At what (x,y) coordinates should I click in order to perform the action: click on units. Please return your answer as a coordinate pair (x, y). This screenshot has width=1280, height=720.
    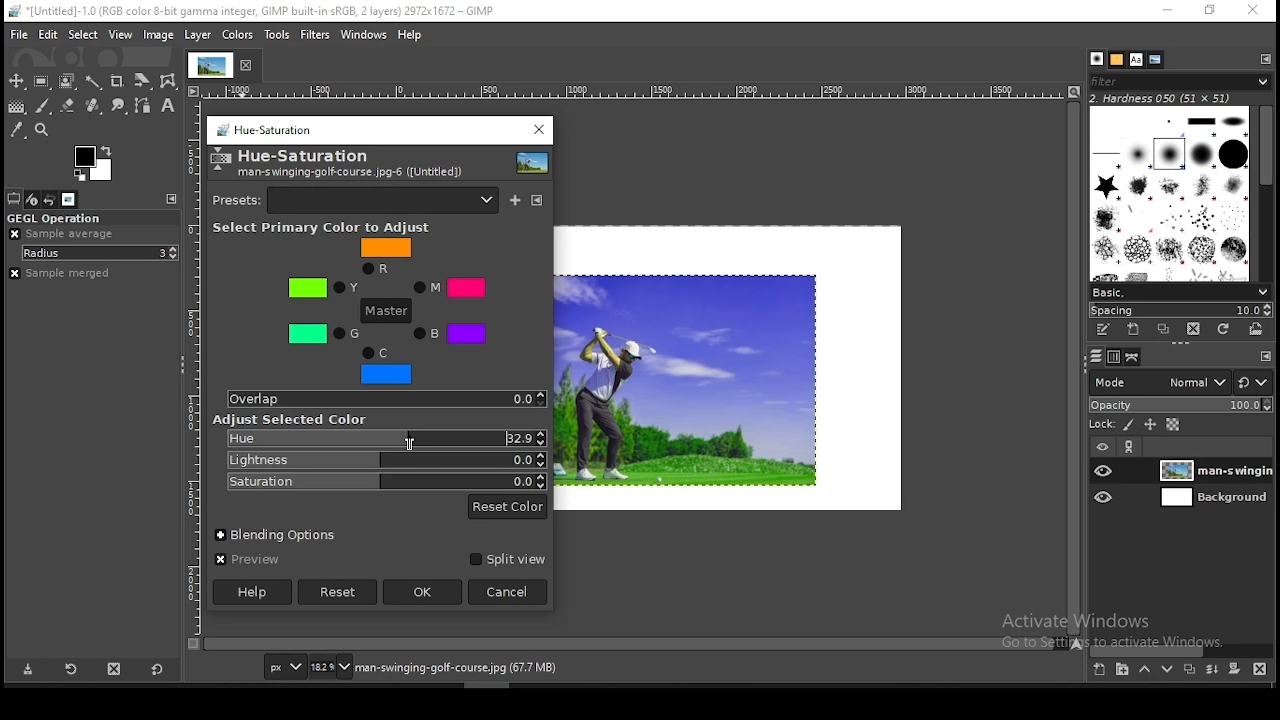
    Looking at the image, I should click on (288, 667).